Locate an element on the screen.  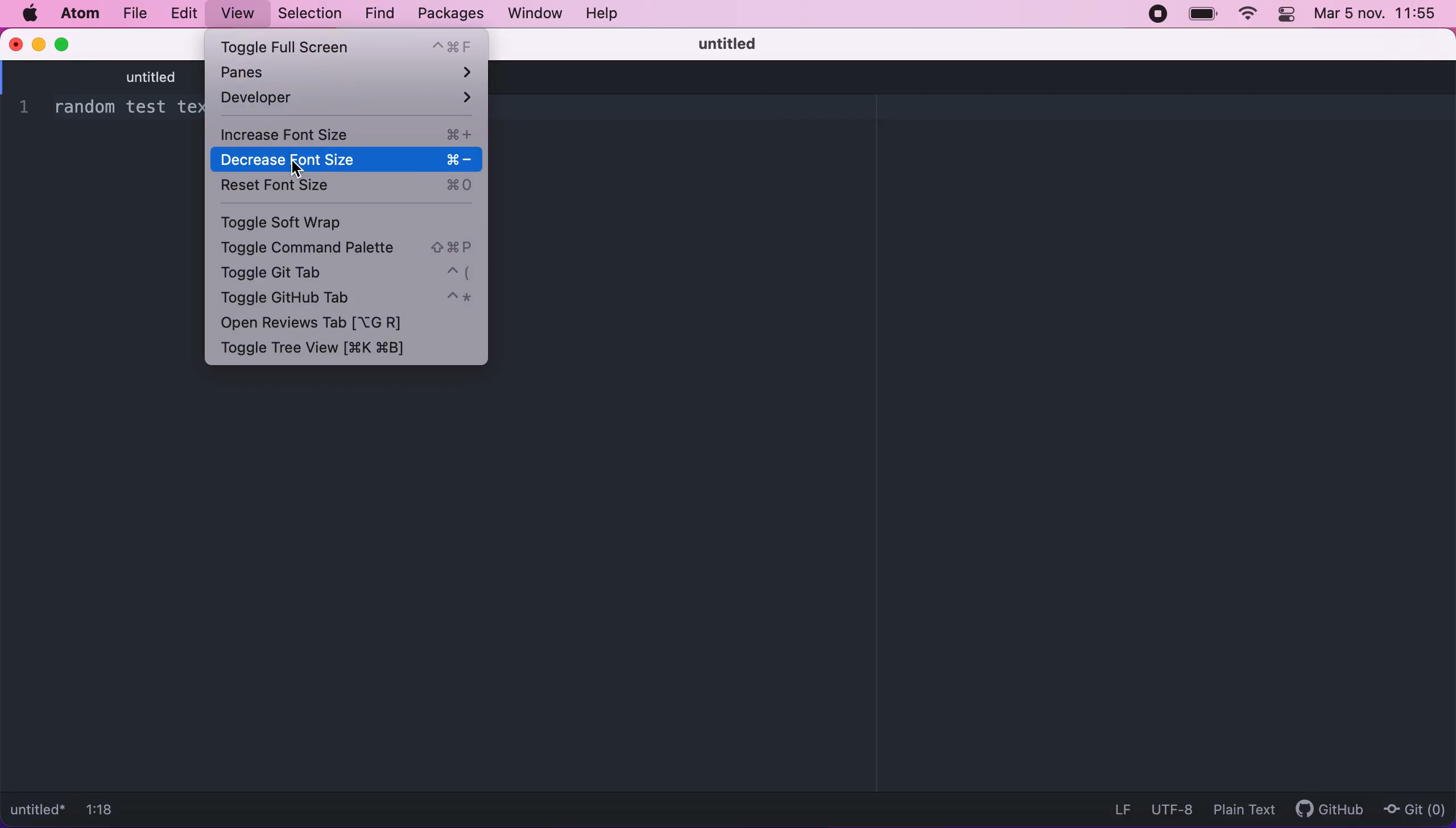
window is located at coordinates (532, 15).